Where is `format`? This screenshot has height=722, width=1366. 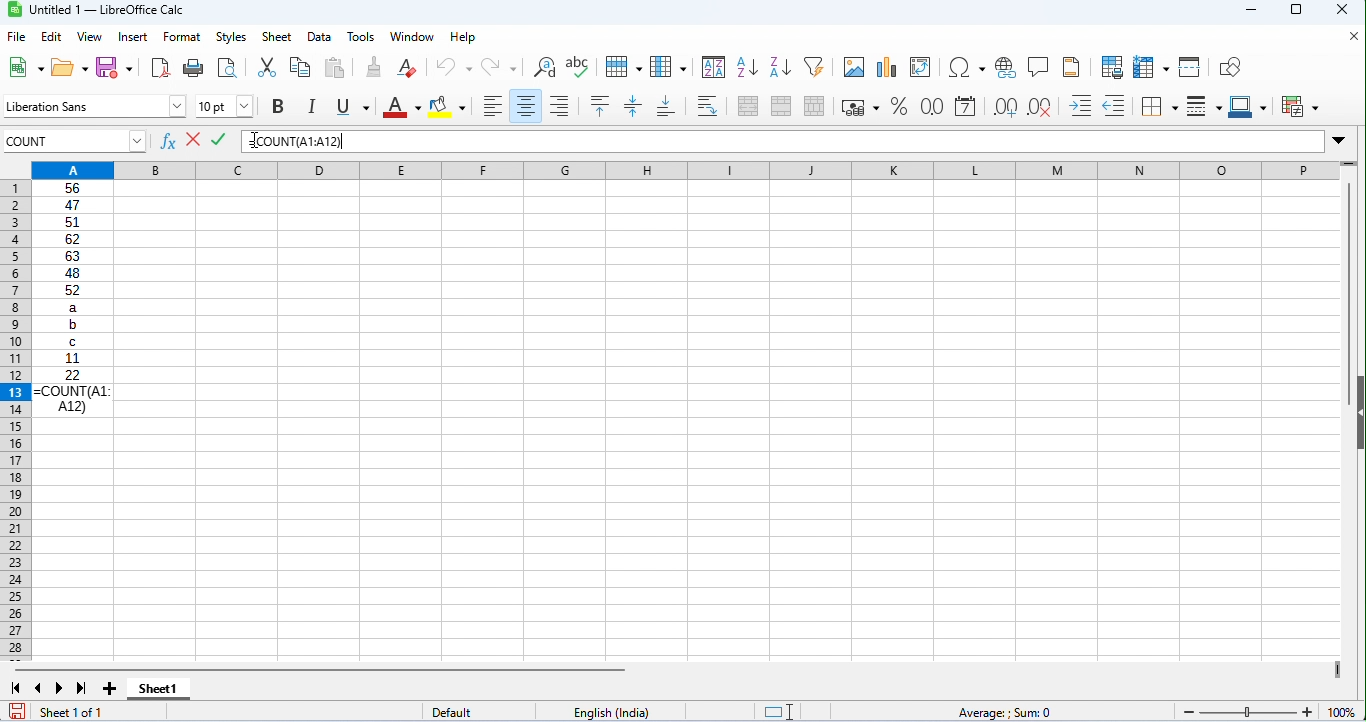
format is located at coordinates (182, 37).